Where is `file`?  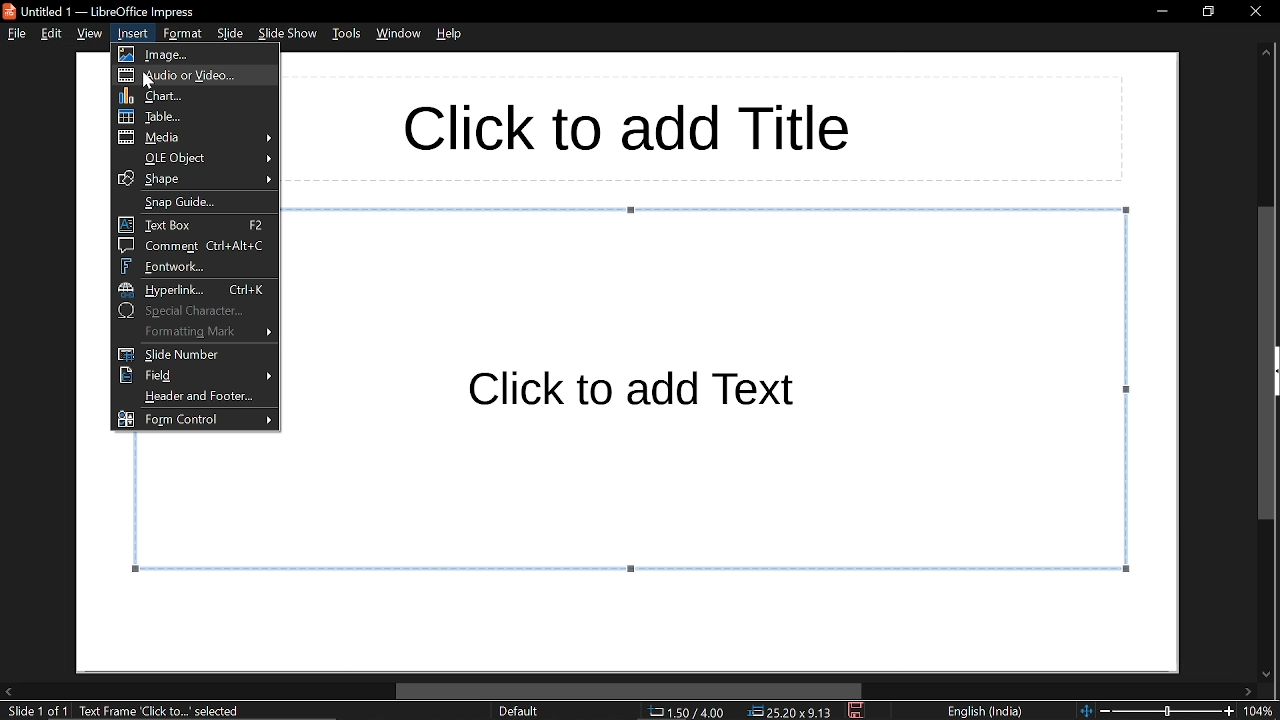 file is located at coordinates (15, 34).